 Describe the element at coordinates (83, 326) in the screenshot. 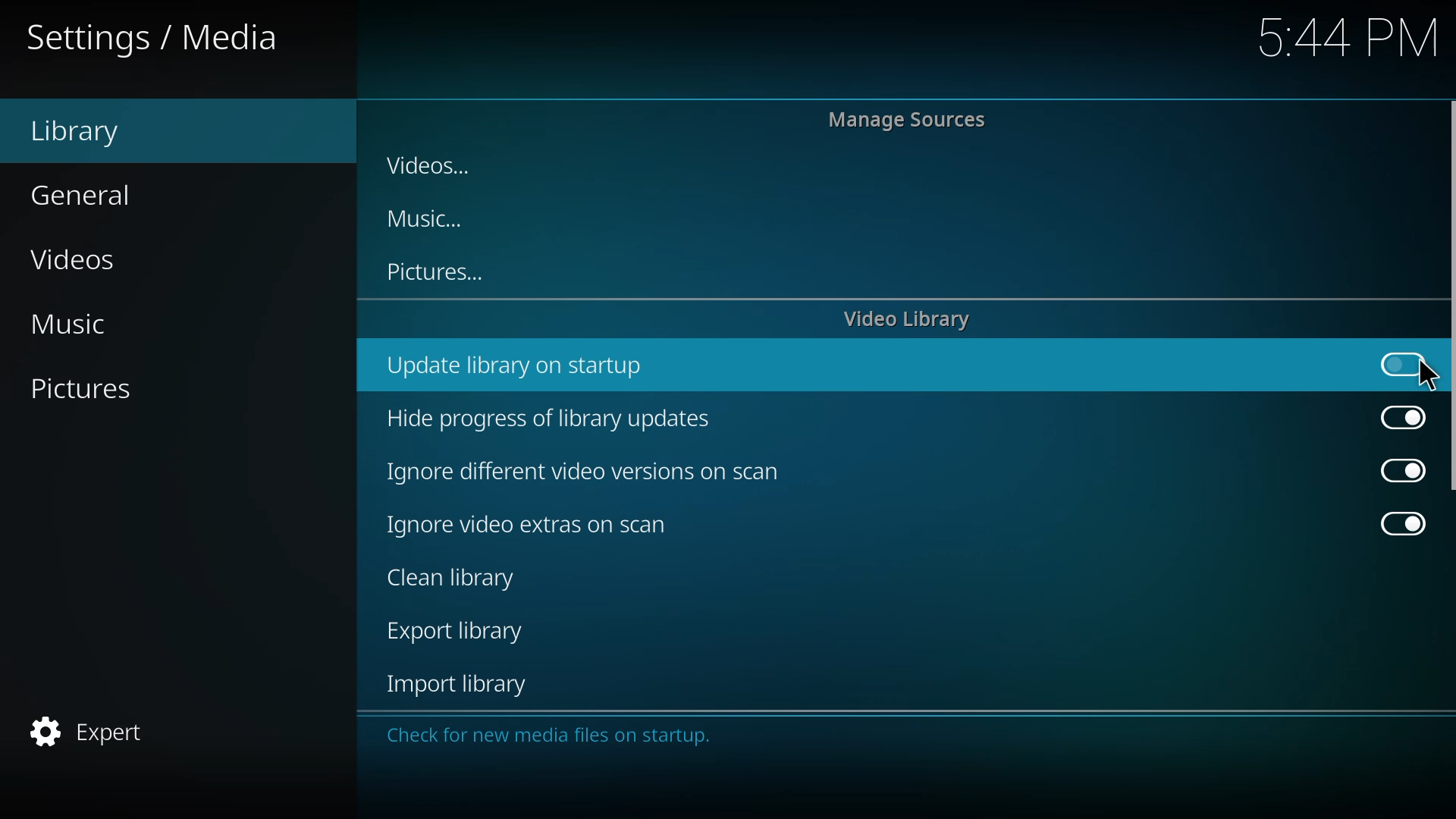

I see `music` at that location.